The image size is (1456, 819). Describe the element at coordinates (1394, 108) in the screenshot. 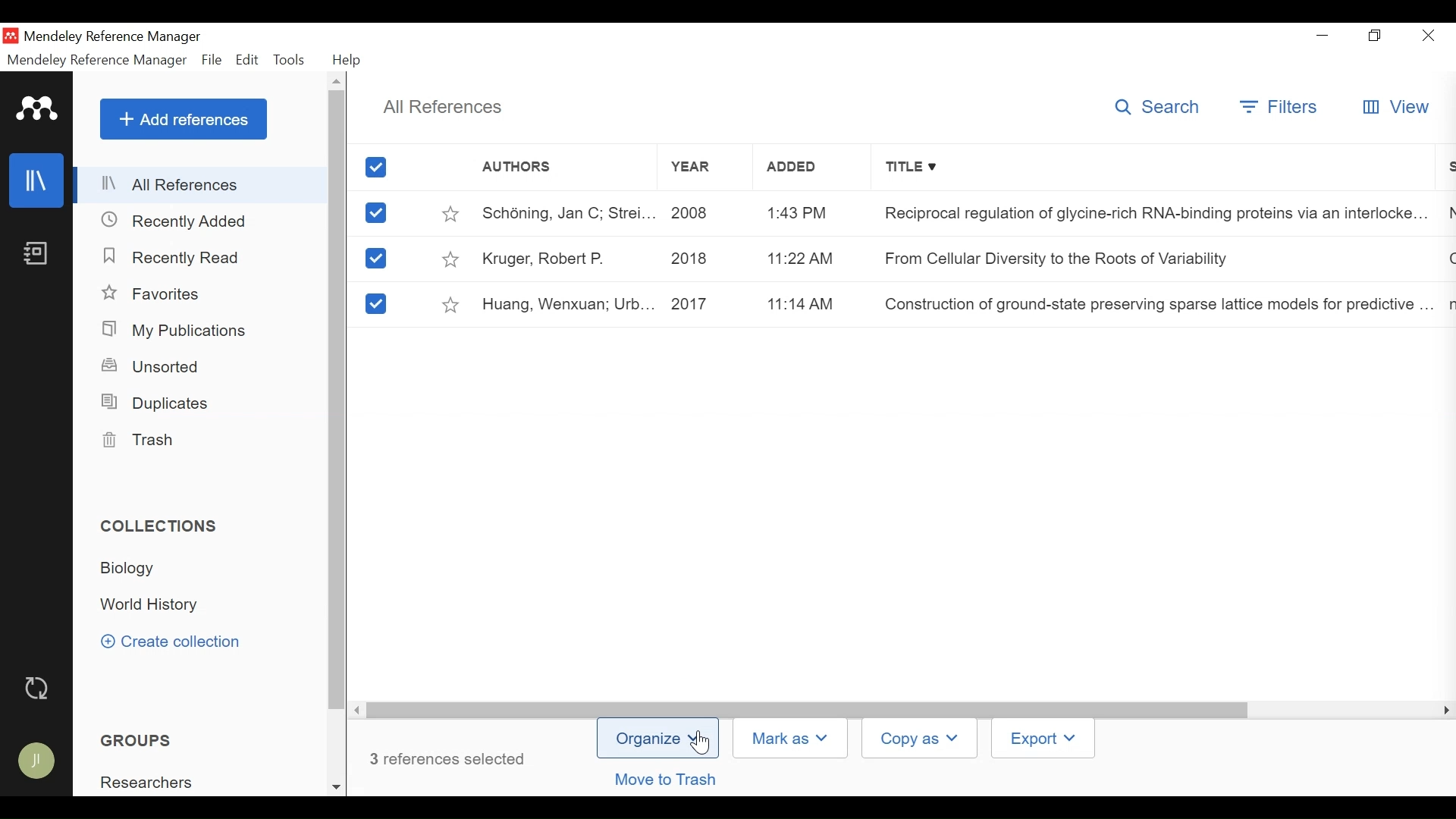

I see `View` at that location.